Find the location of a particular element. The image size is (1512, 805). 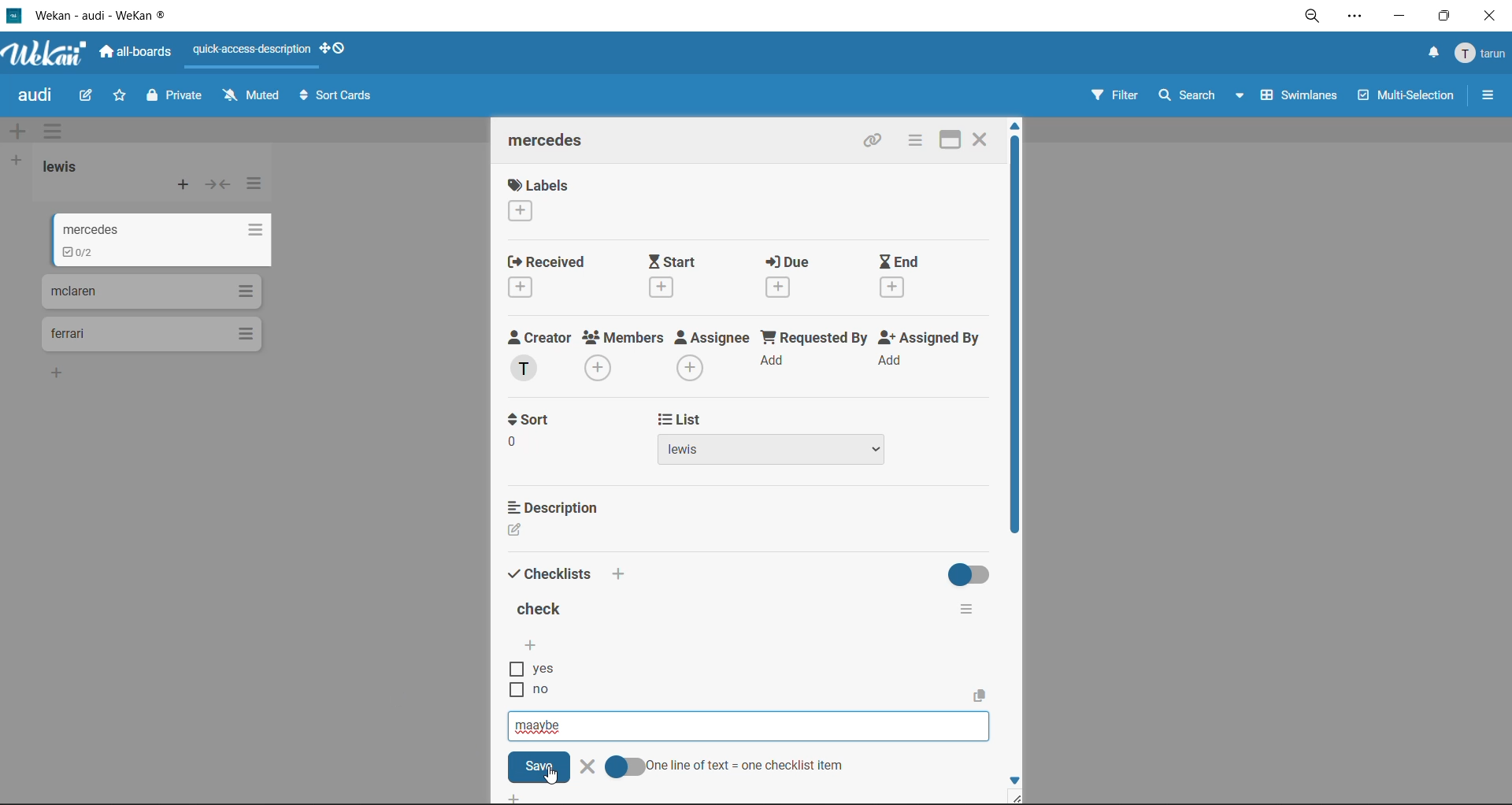

close is located at coordinates (985, 139).